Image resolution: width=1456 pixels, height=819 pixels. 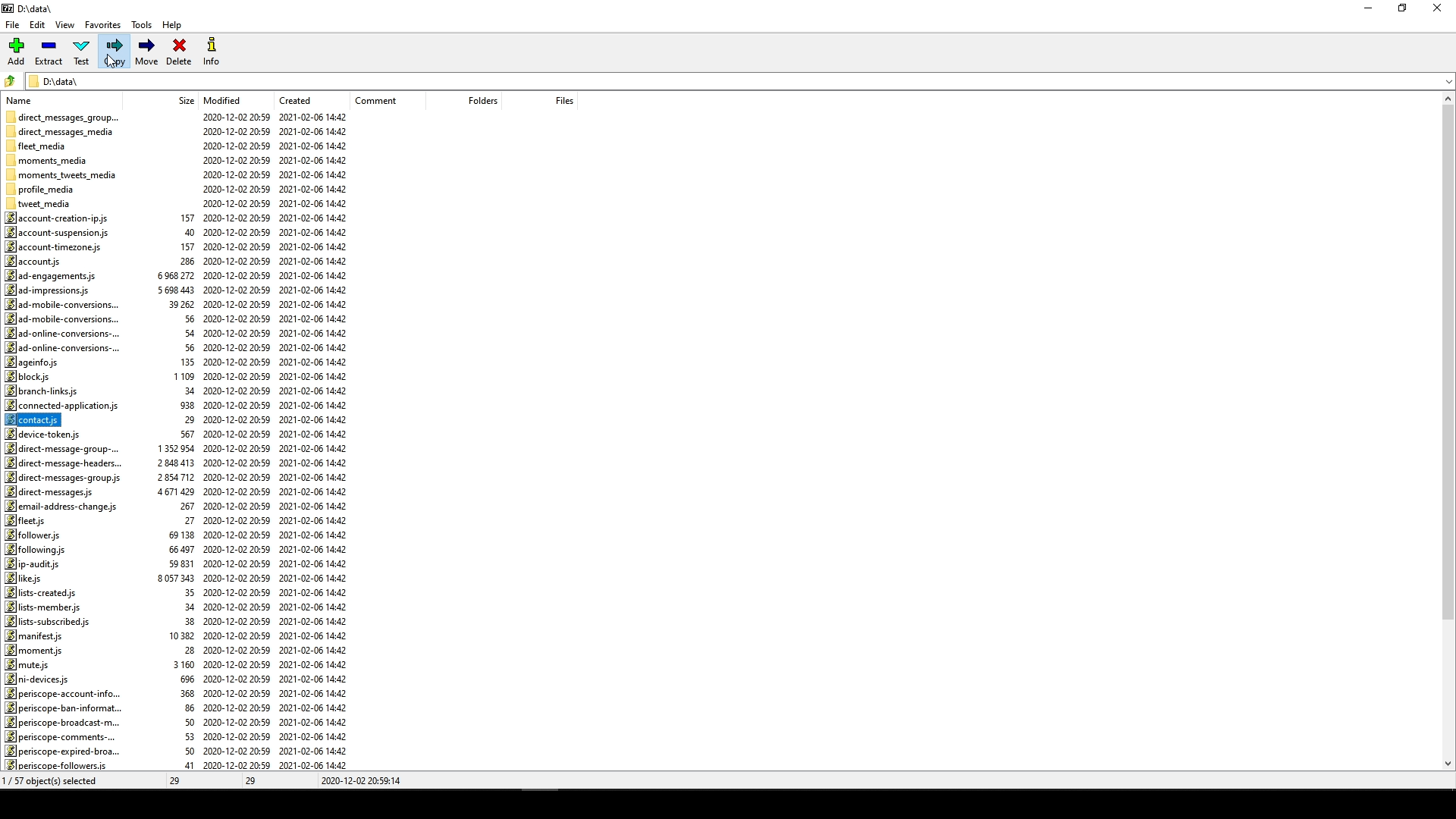 I want to click on periscope-followers.js, so click(x=58, y=765).